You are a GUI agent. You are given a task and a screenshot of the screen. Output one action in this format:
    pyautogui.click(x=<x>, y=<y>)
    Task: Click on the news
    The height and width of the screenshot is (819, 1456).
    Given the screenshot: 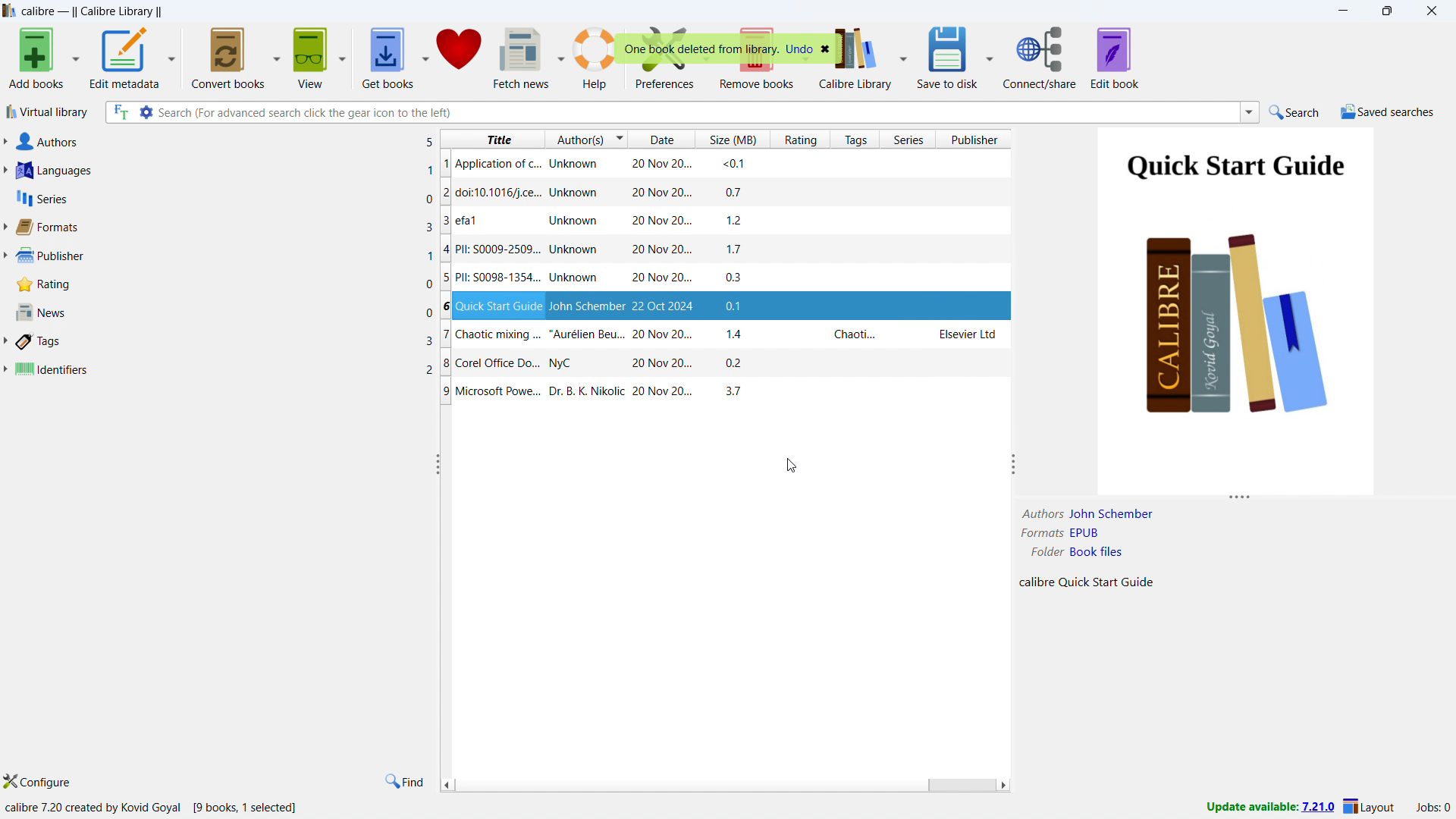 What is the action you would take?
    pyautogui.click(x=223, y=311)
    